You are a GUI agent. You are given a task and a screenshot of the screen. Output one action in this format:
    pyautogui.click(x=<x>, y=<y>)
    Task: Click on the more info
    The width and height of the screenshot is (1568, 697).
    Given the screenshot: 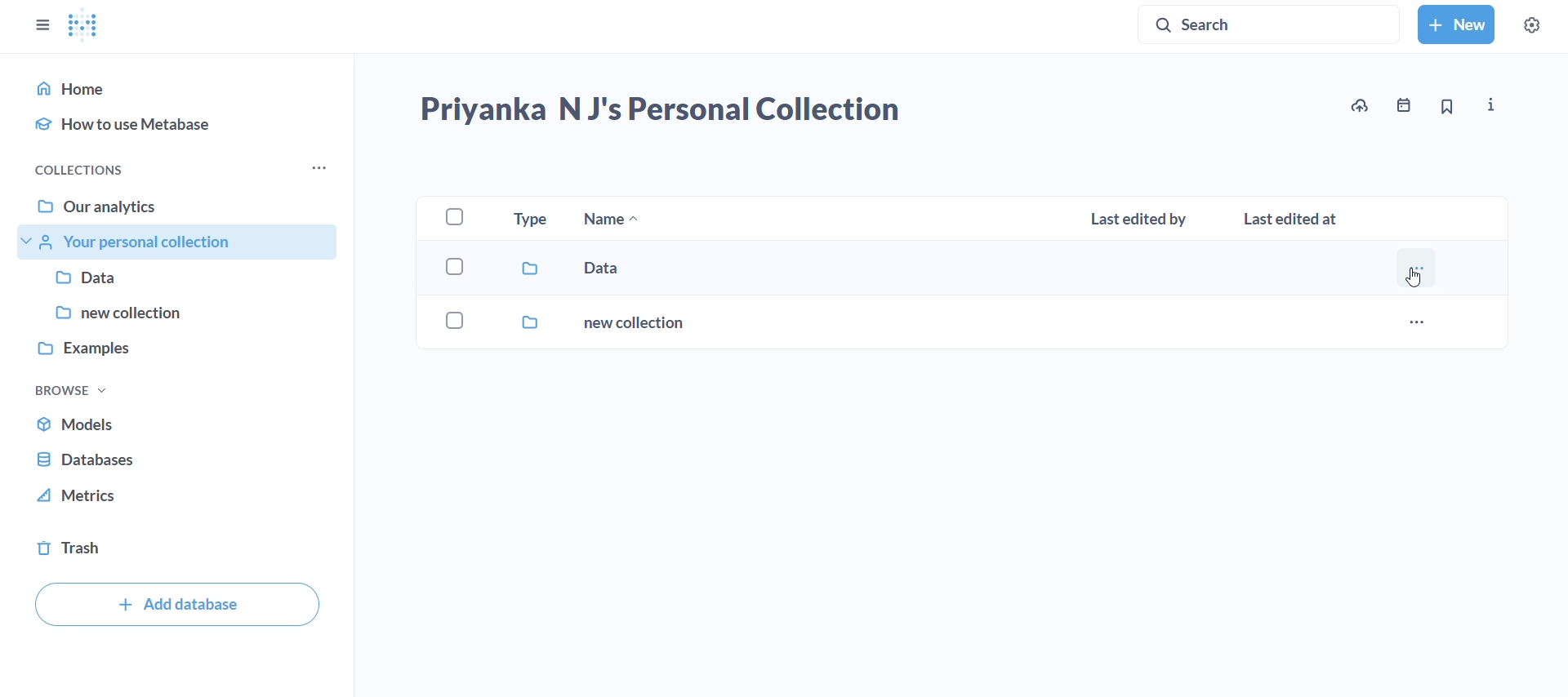 What is the action you would take?
    pyautogui.click(x=1492, y=104)
    